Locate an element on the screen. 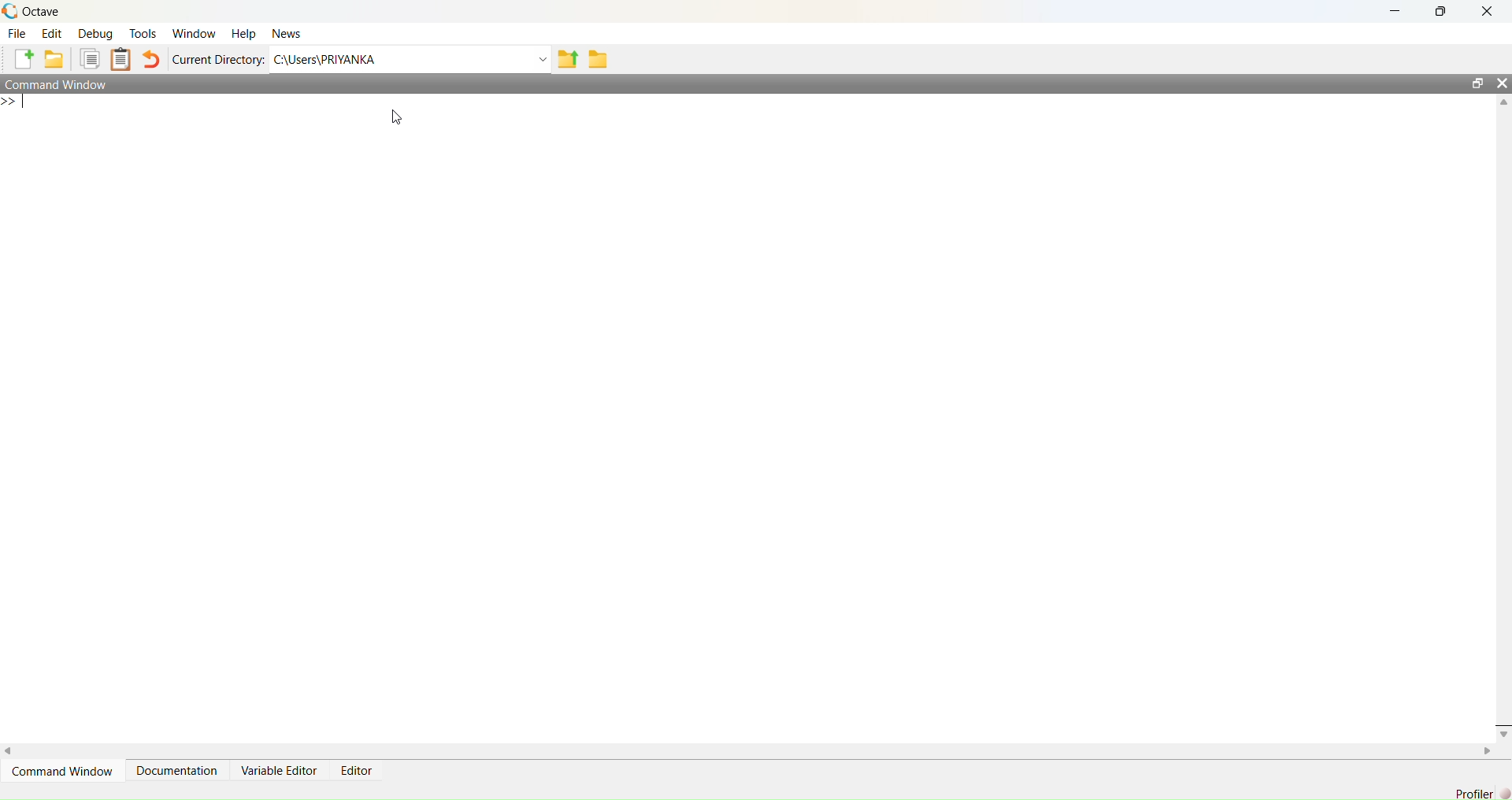 Image resolution: width=1512 pixels, height=800 pixels. Help is located at coordinates (244, 35).